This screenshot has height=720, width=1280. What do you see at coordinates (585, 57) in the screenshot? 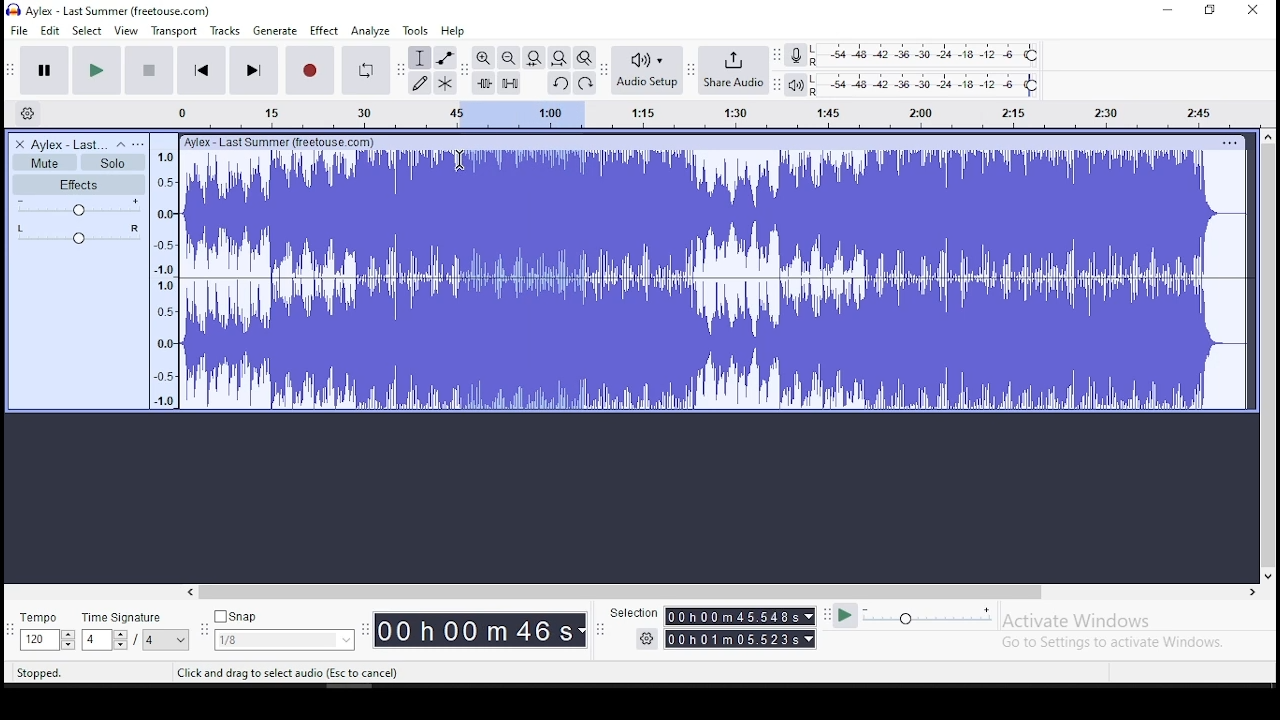
I see `zoom toggle` at bounding box center [585, 57].